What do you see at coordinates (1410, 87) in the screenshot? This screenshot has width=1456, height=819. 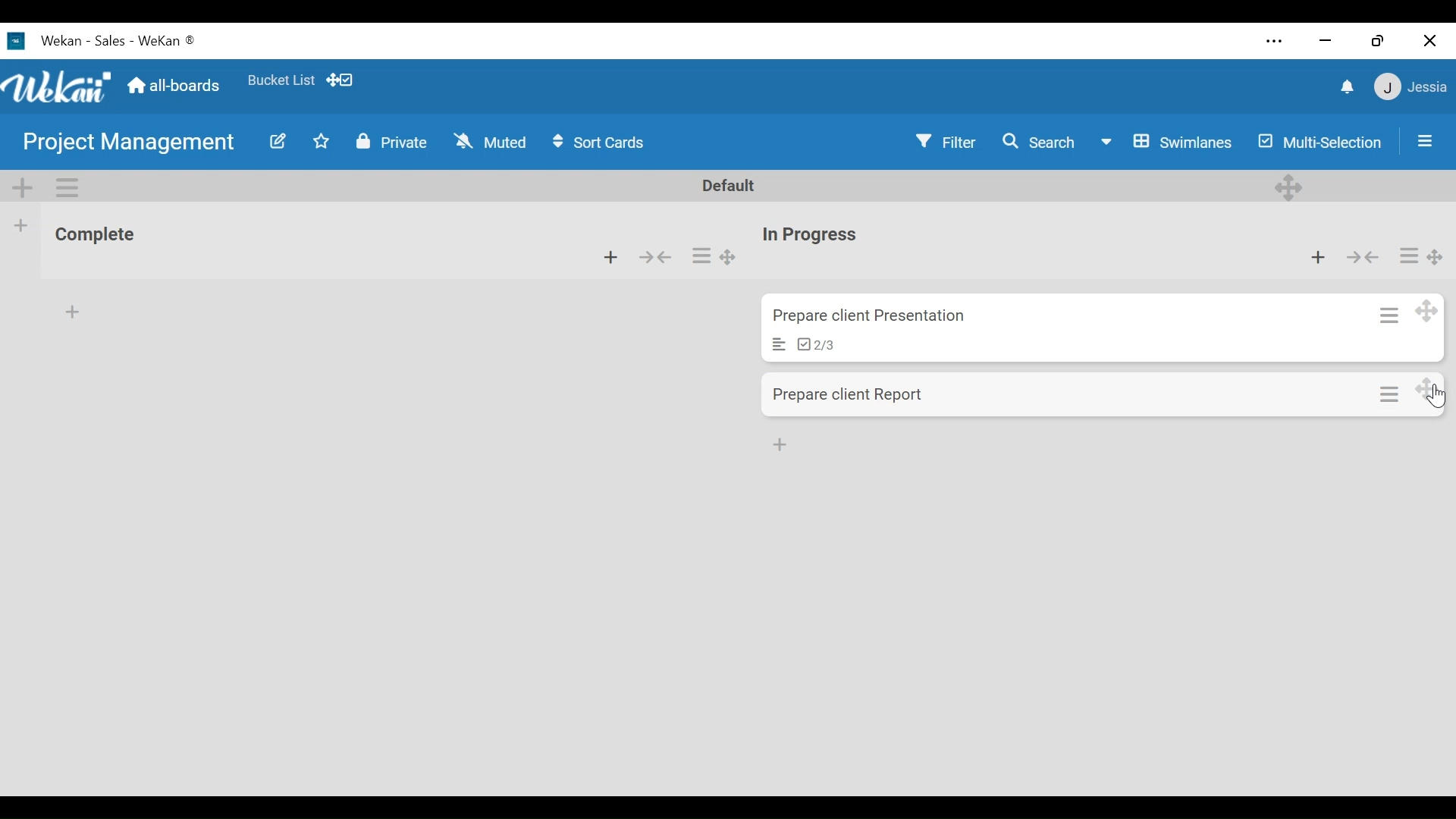 I see `jessie` at bounding box center [1410, 87].